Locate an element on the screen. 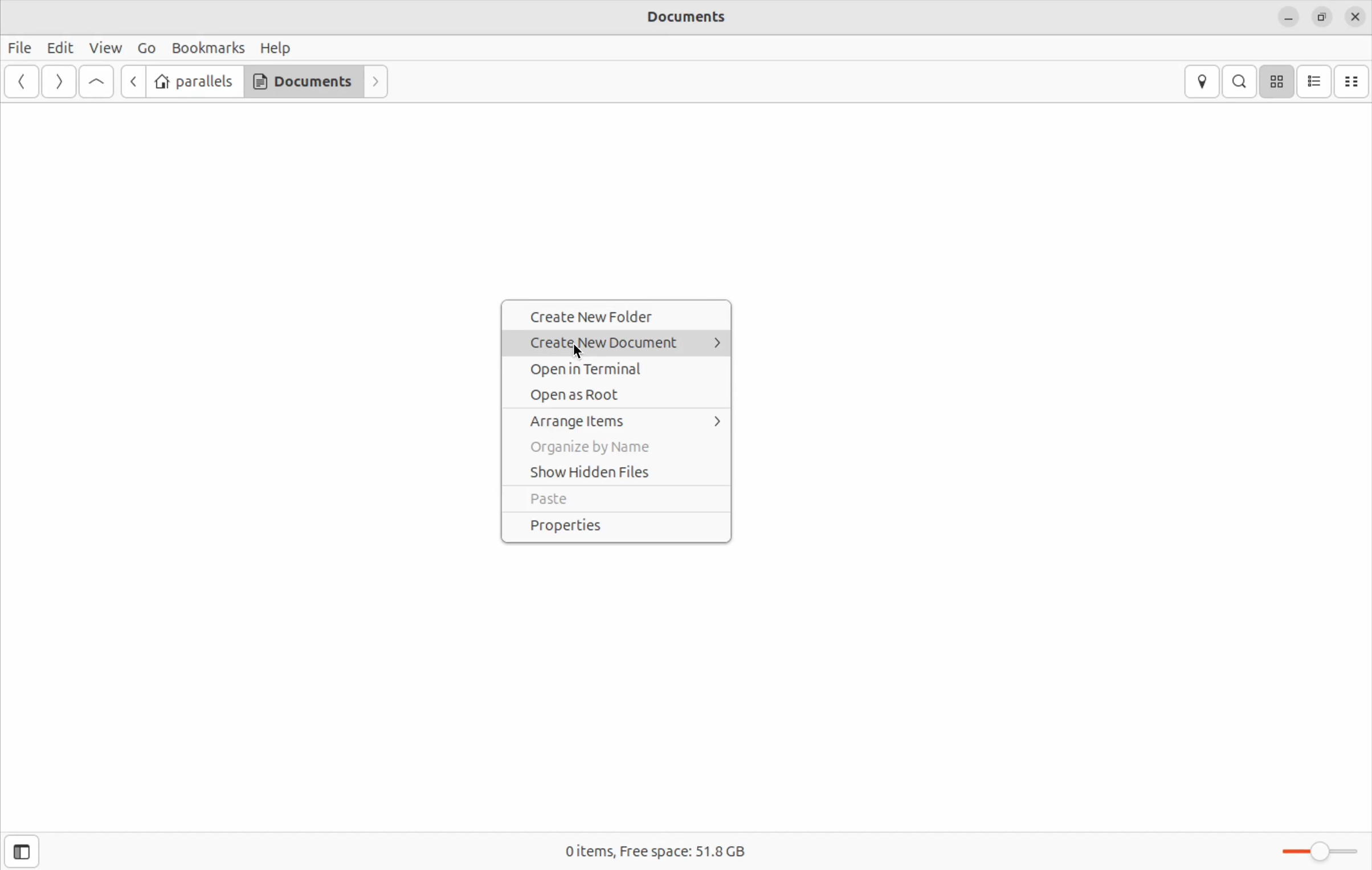 Image resolution: width=1372 pixels, height=870 pixels. compact view is located at coordinates (1353, 81).